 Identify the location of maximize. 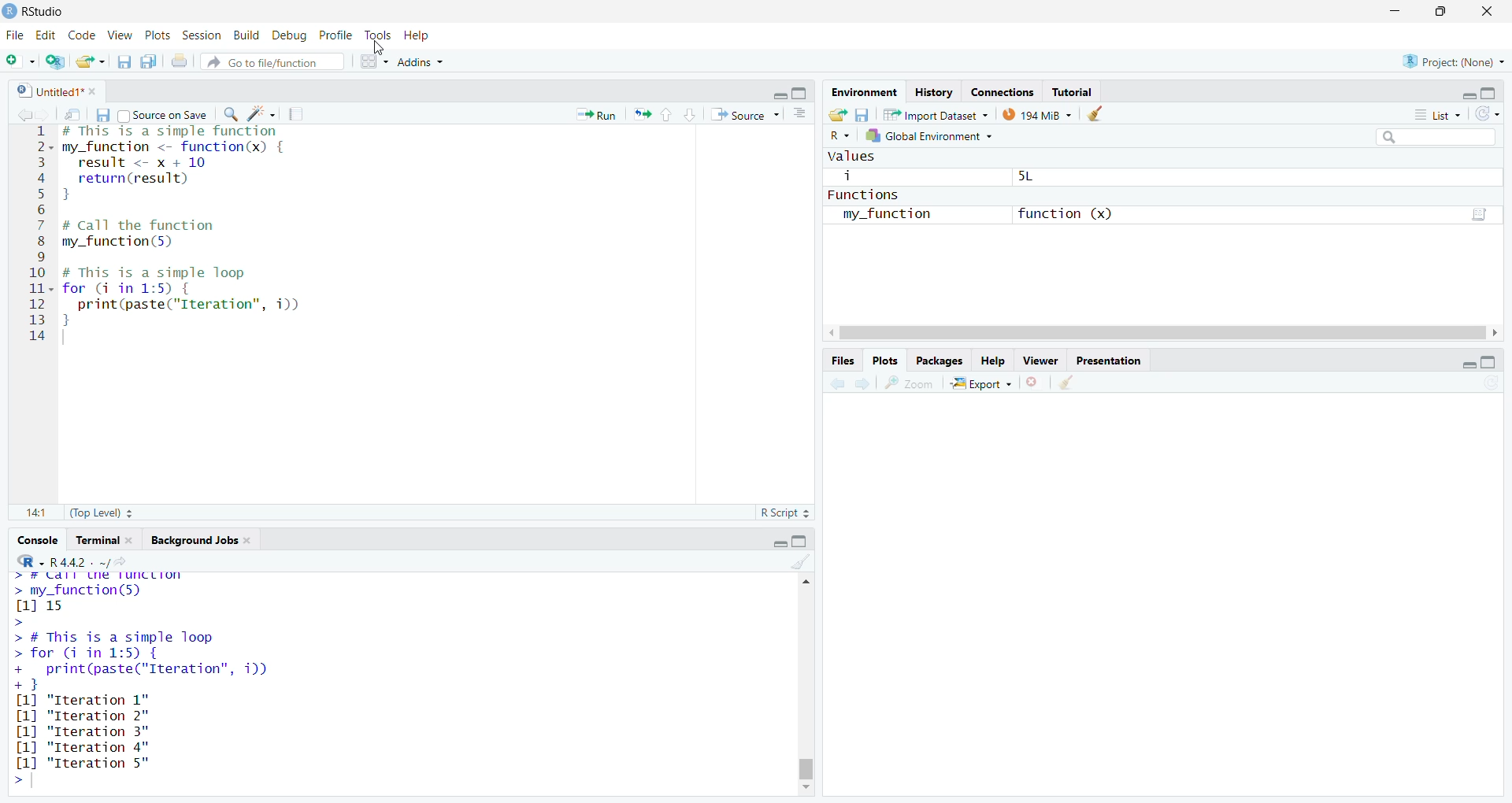
(805, 93).